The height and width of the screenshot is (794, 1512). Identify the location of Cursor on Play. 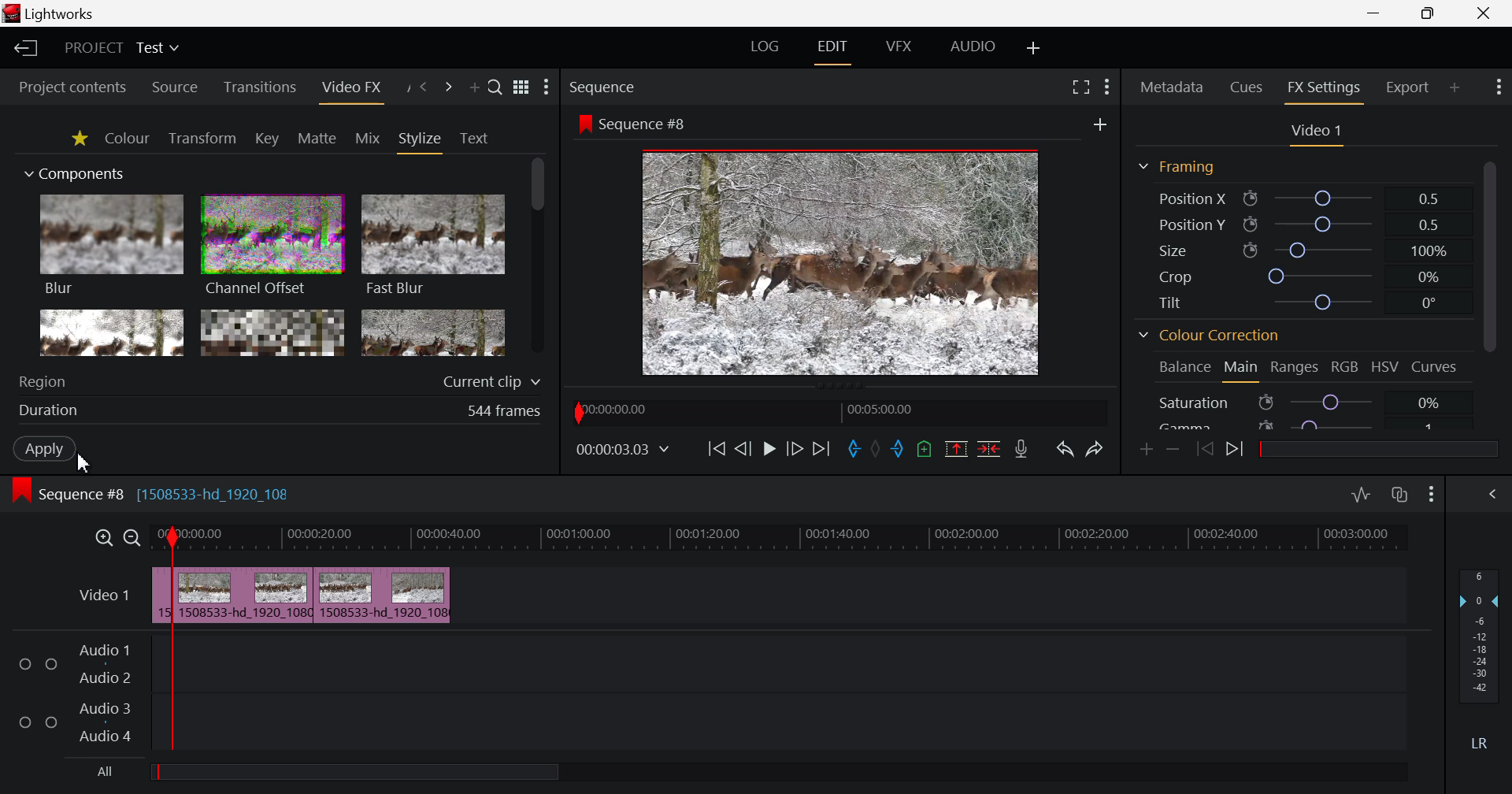
(769, 449).